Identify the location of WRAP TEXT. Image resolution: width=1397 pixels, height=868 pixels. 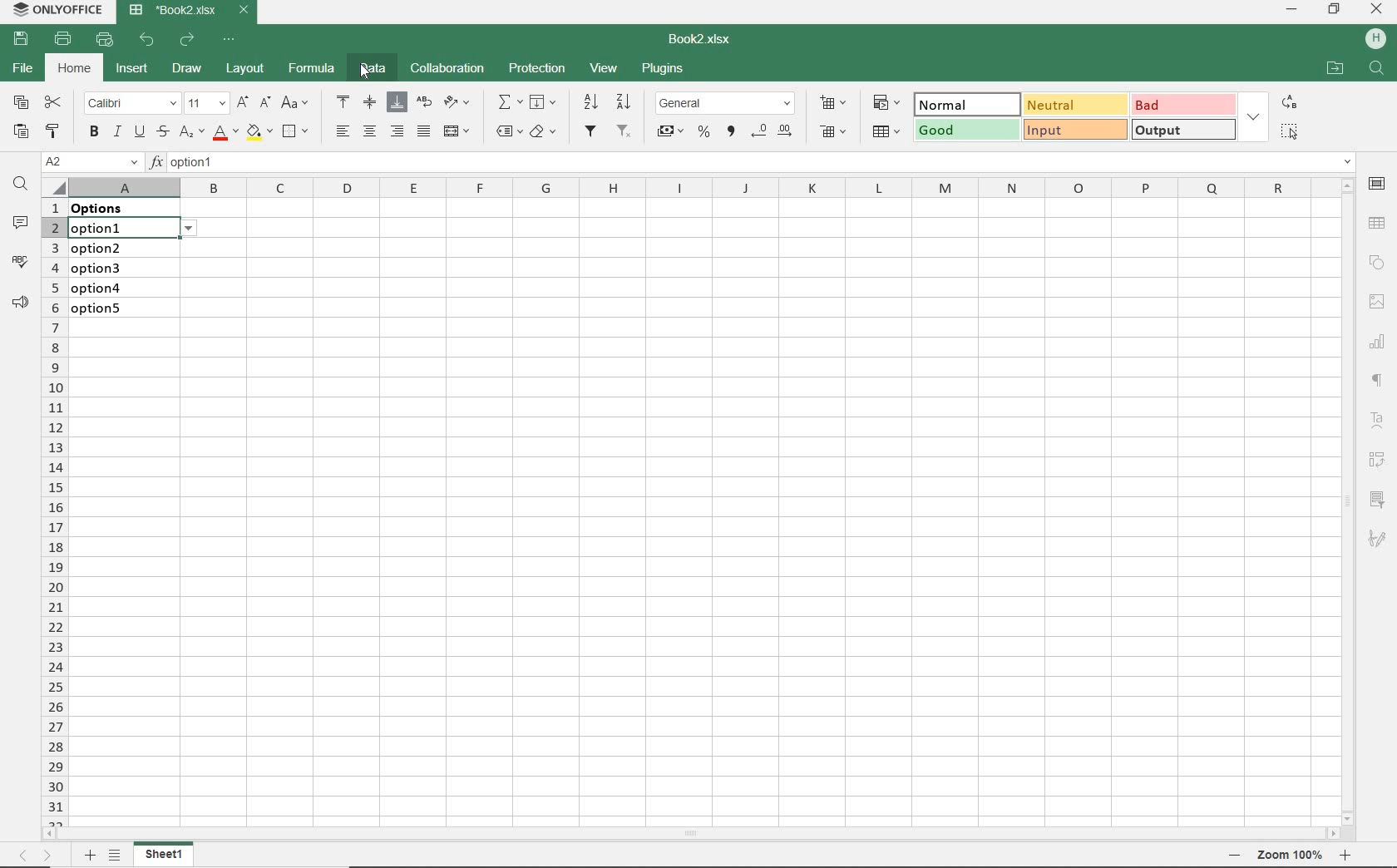
(423, 103).